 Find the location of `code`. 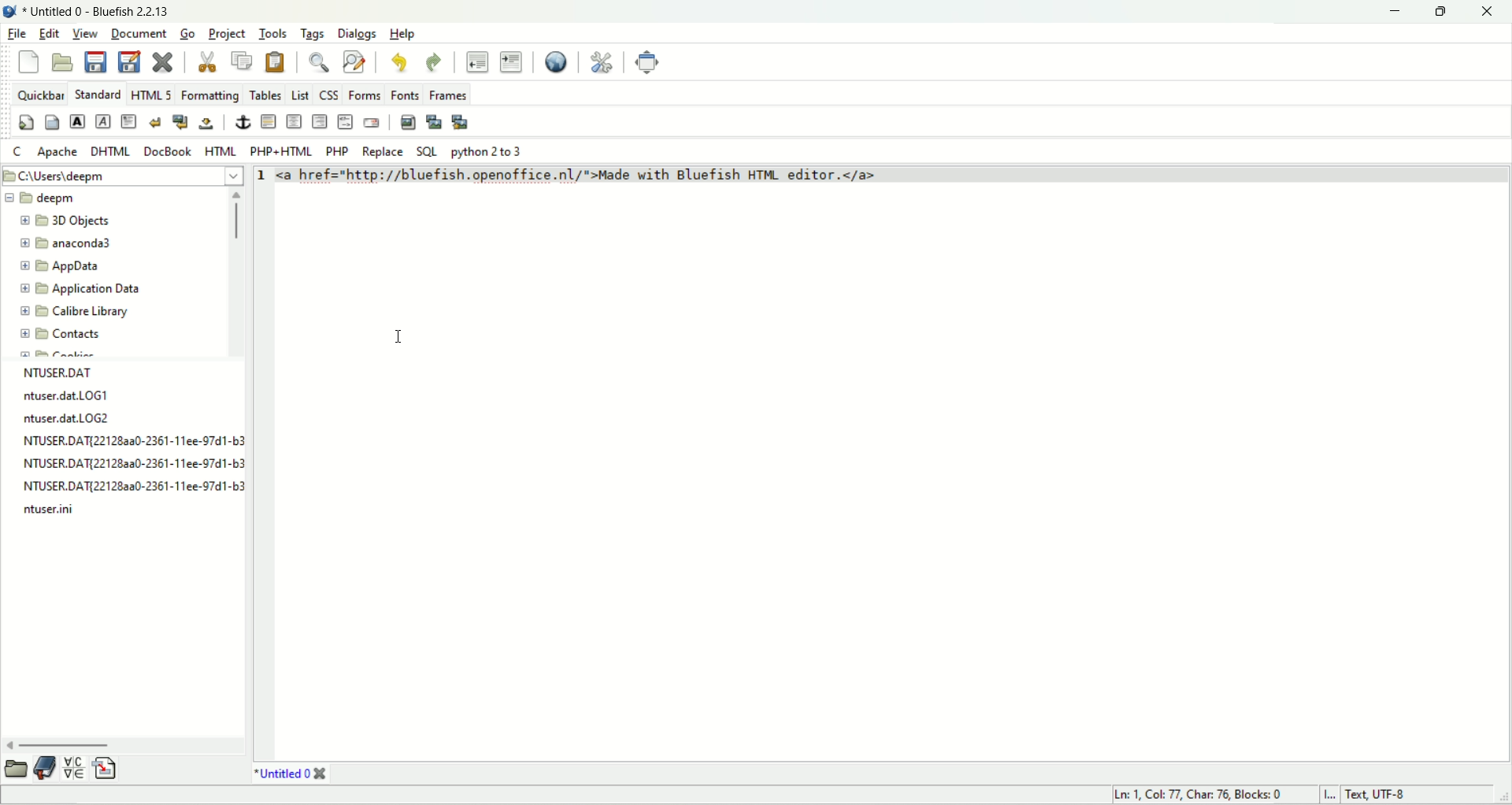

code is located at coordinates (578, 178).